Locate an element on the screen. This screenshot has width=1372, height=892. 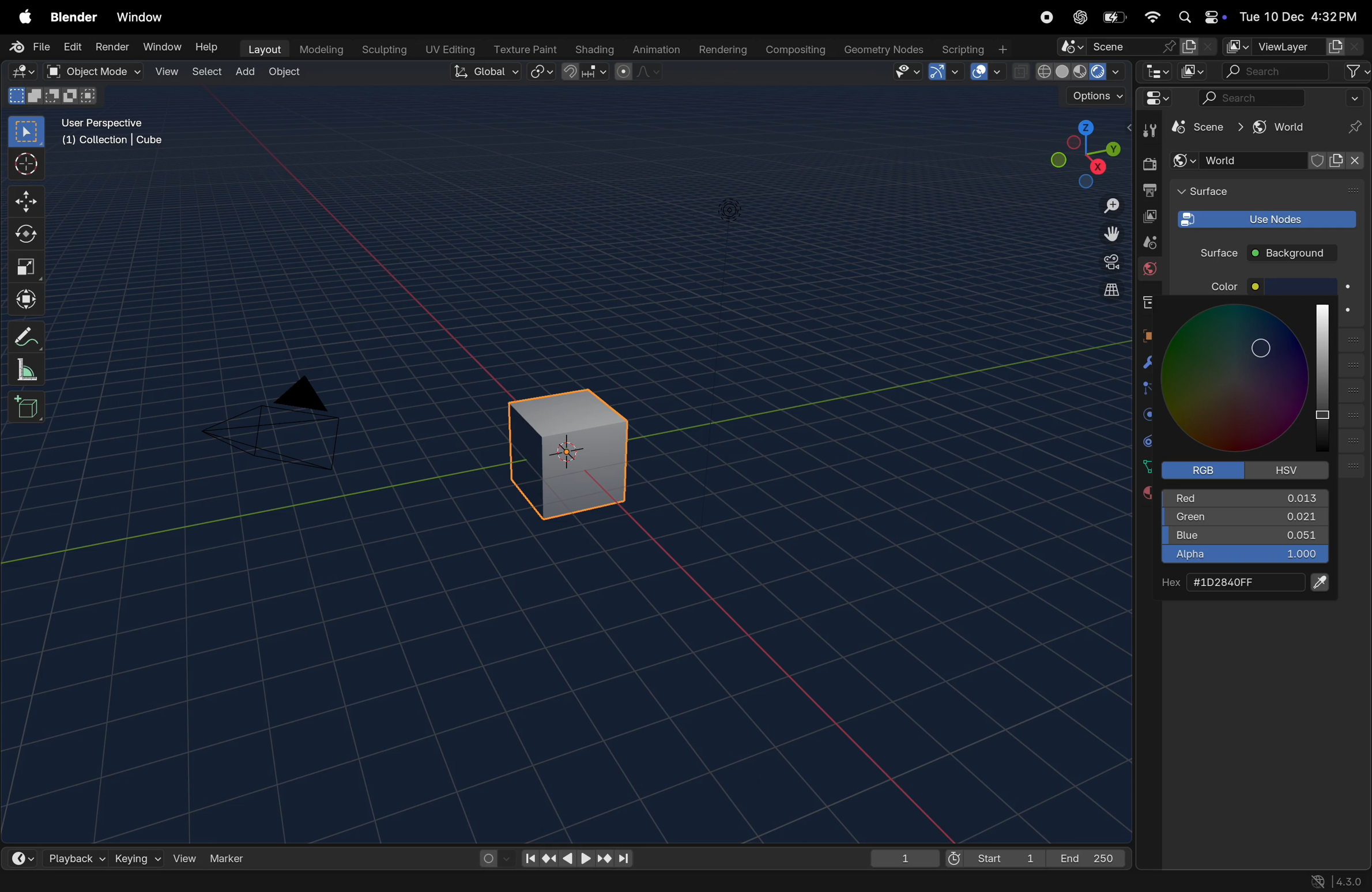
Window is located at coordinates (144, 16).